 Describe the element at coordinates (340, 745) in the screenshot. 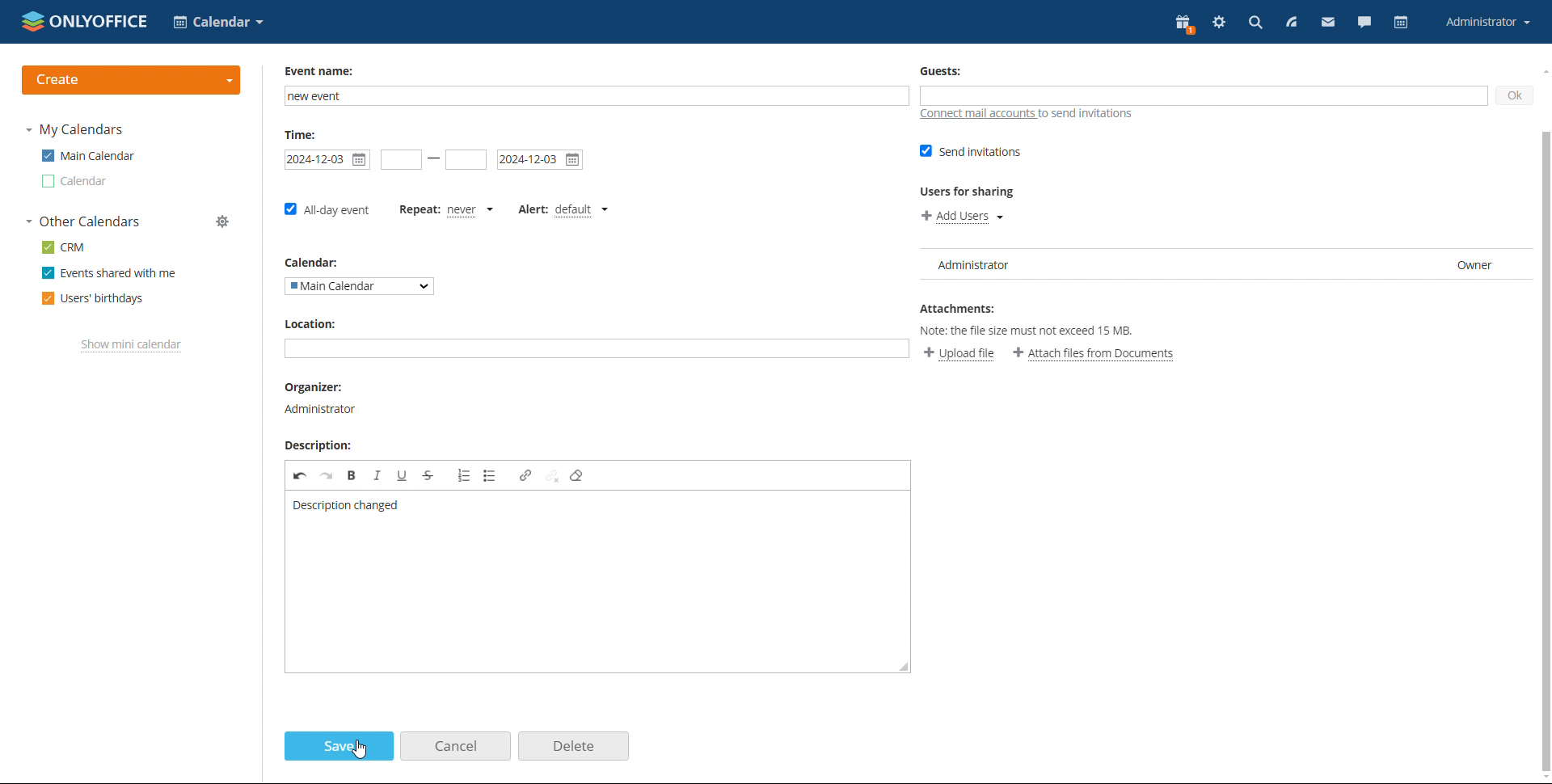

I see `save` at that location.